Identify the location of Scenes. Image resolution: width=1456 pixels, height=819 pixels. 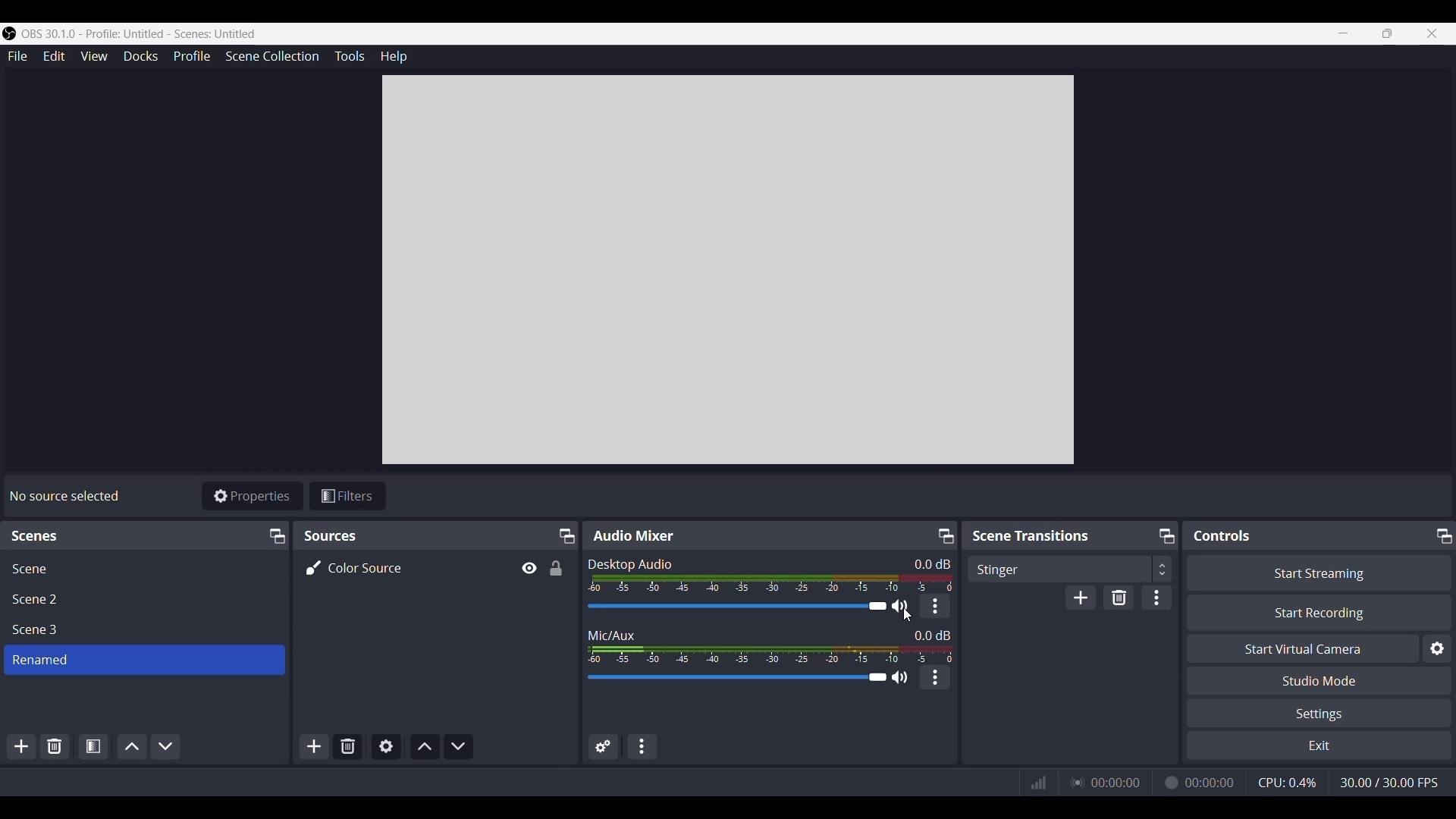
(37, 535).